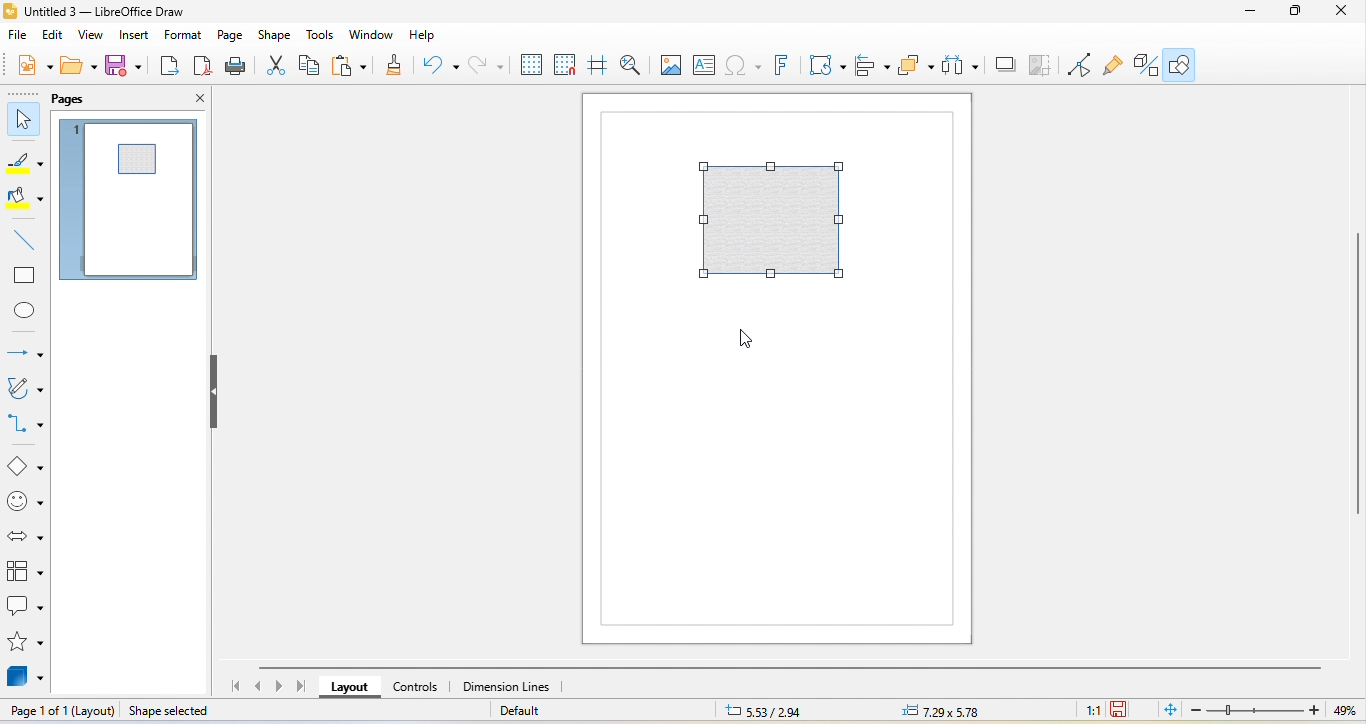 This screenshot has height=724, width=1366. What do you see at coordinates (234, 37) in the screenshot?
I see `page` at bounding box center [234, 37].